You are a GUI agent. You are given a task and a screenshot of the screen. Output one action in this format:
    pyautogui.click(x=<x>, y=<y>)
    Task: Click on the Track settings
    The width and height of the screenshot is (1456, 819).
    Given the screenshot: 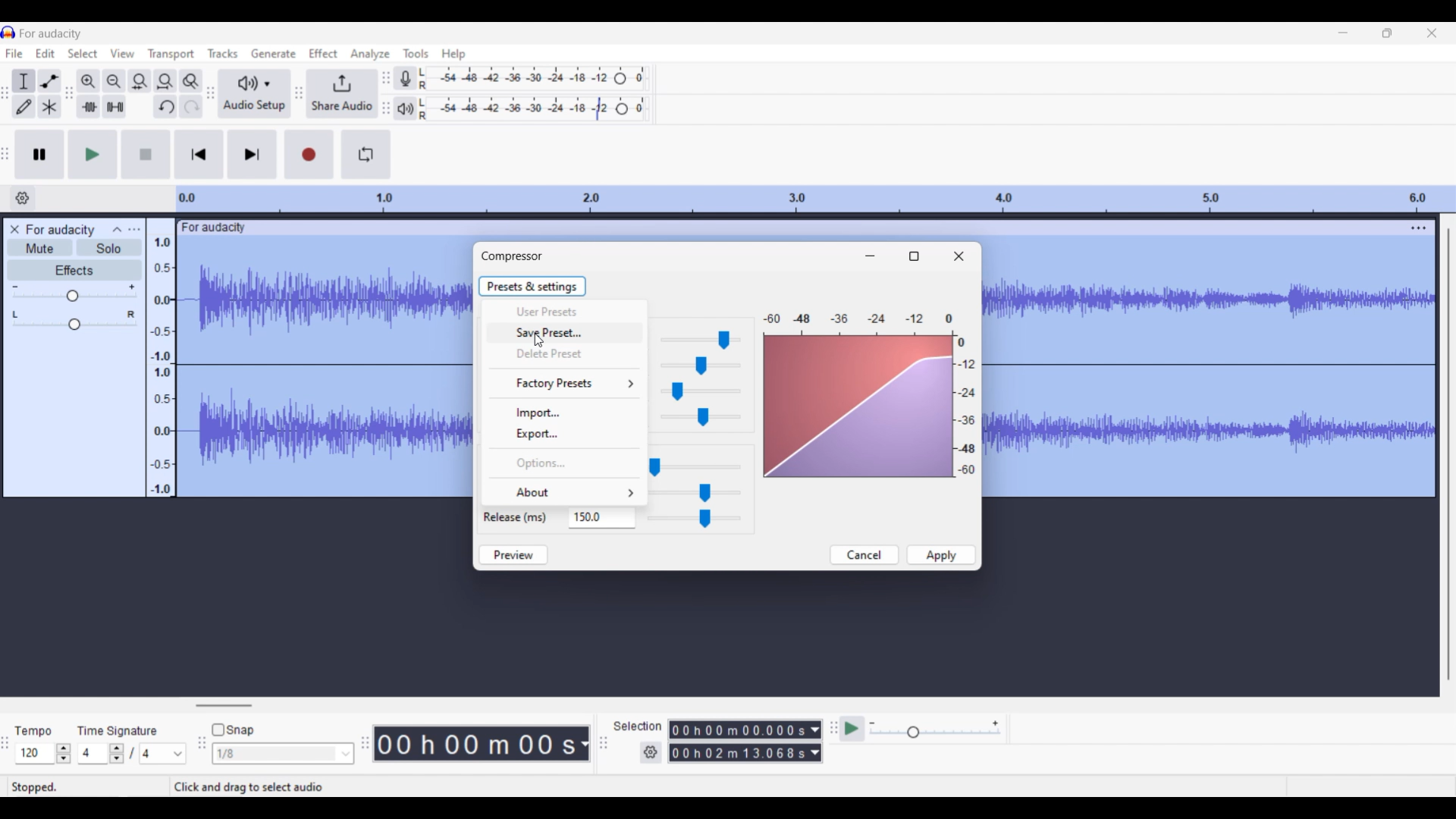 What is the action you would take?
    pyautogui.click(x=1419, y=227)
    